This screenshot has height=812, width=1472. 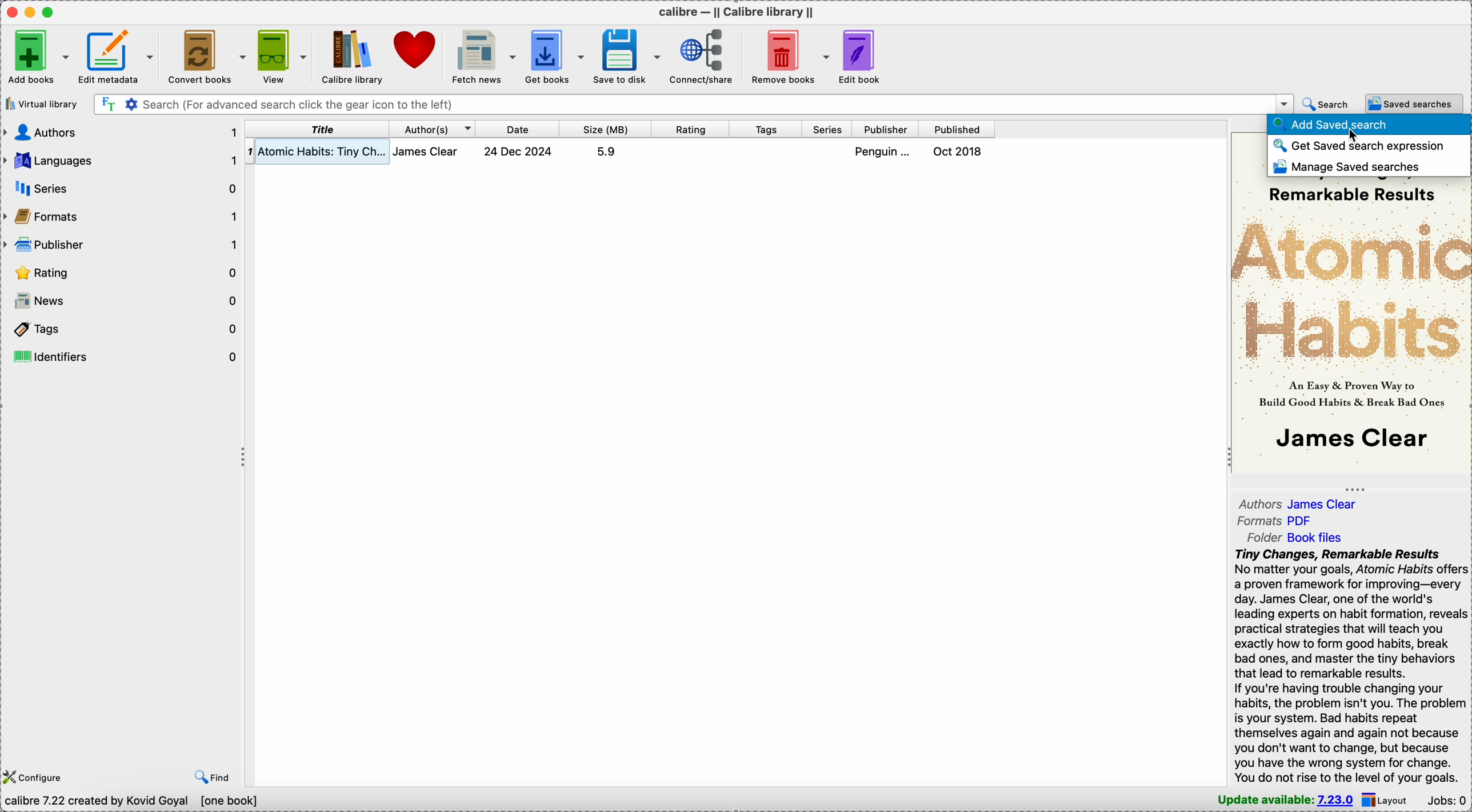 I want to click on view, so click(x=281, y=54).